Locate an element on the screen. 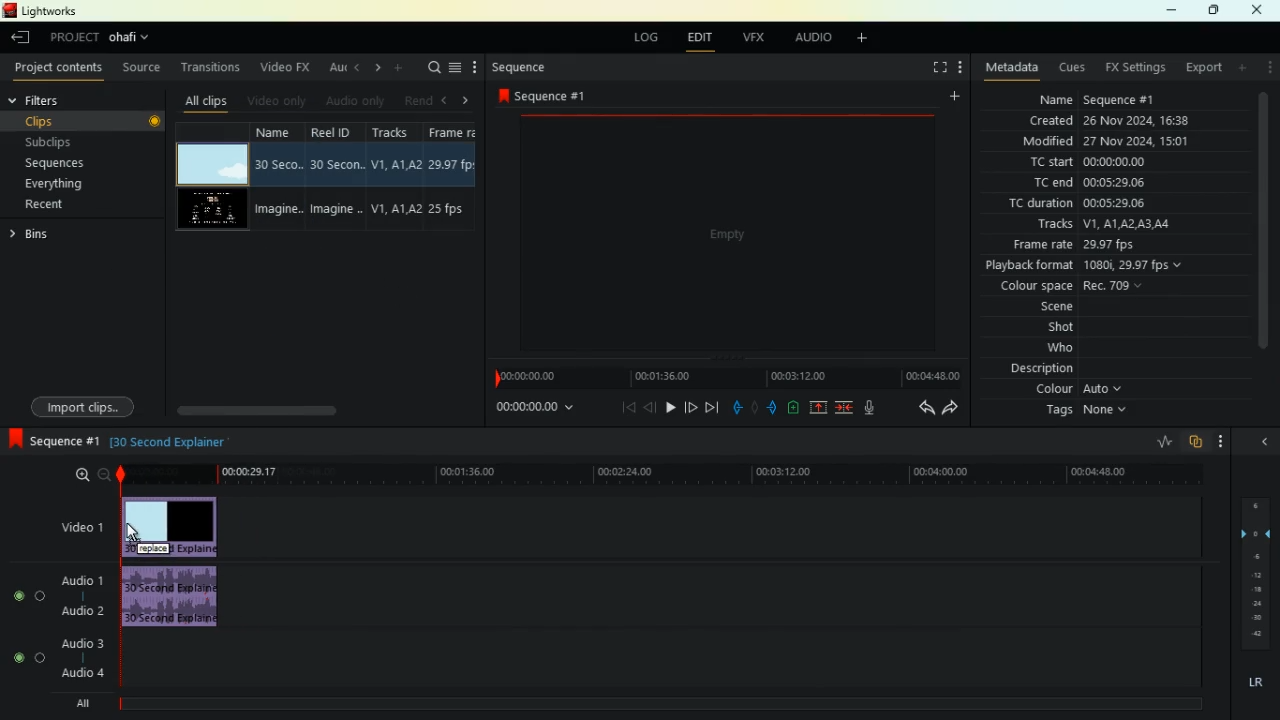 The image size is (1280, 720). playback format 1080i 29.97 fps is located at coordinates (1084, 266).